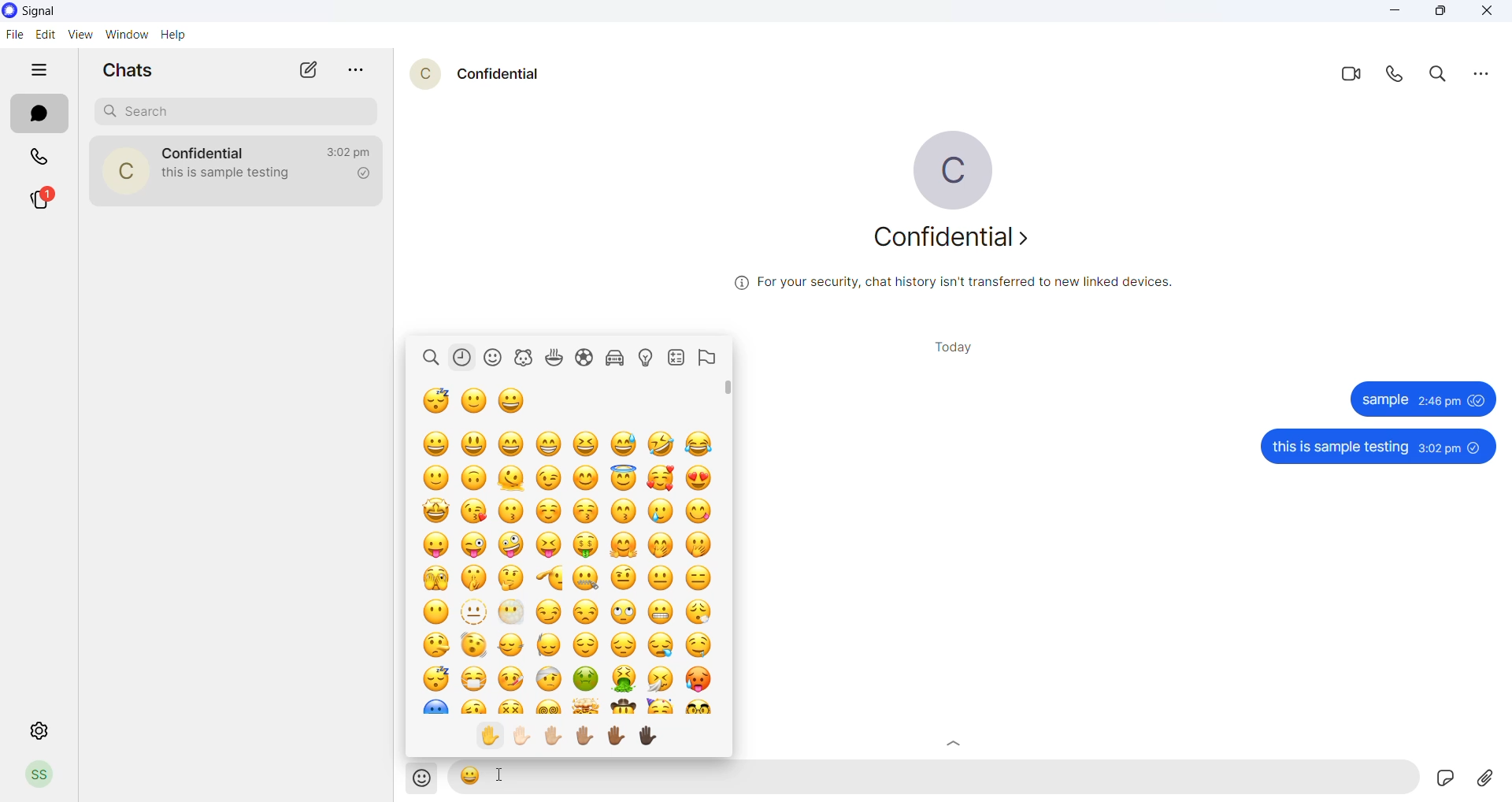  What do you see at coordinates (1340, 448) in the screenshot?
I see `this is sample testing` at bounding box center [1340, 448].